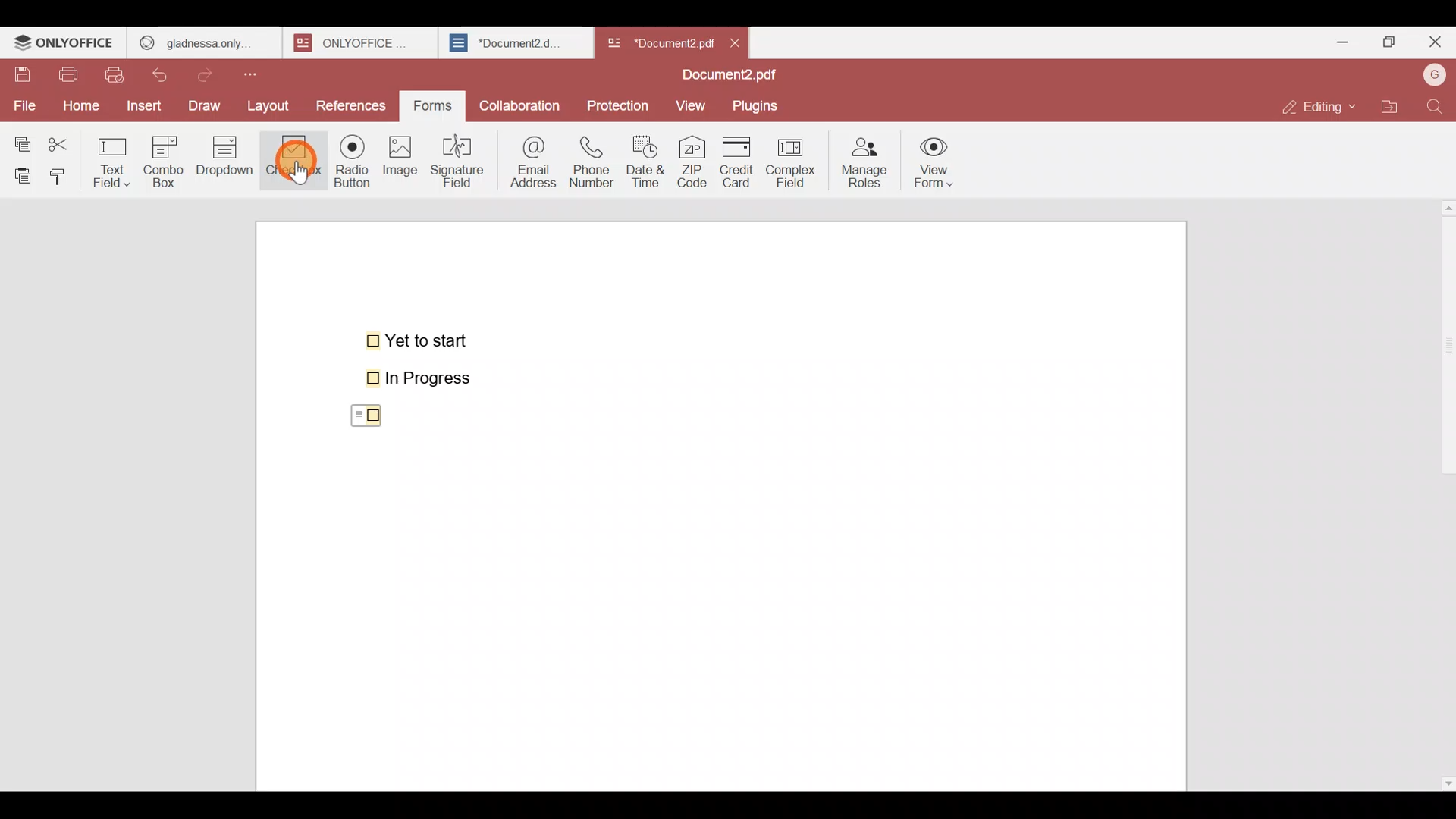 The image size is (1456, 819). Describe the element at coordinates (692, 163) in the screenshot. I see `ZIP code` at that location.